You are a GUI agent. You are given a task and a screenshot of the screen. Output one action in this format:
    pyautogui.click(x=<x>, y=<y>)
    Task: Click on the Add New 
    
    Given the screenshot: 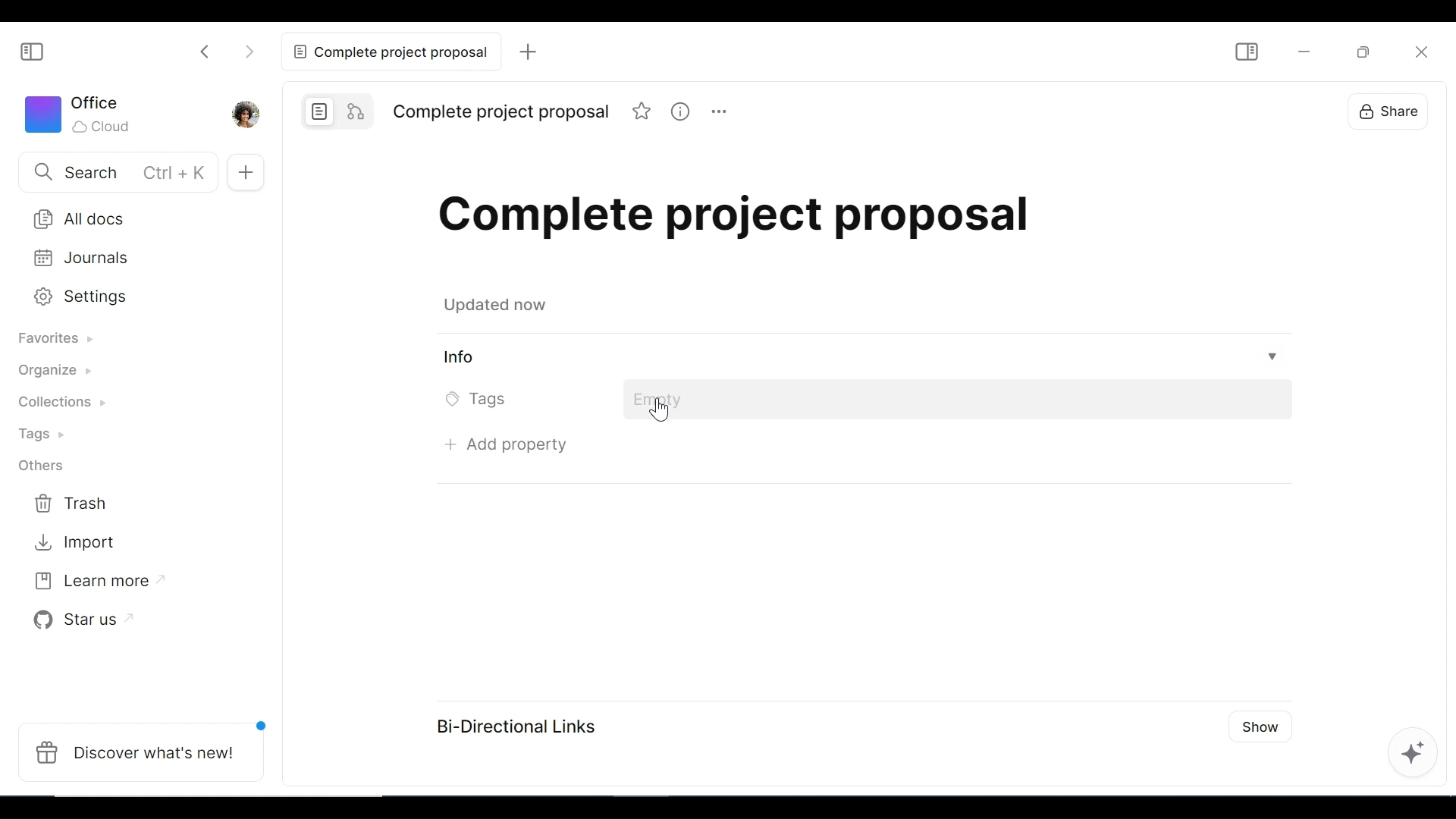 What is the action you would take?
    pyautogui.click(x=249, y=171)
    